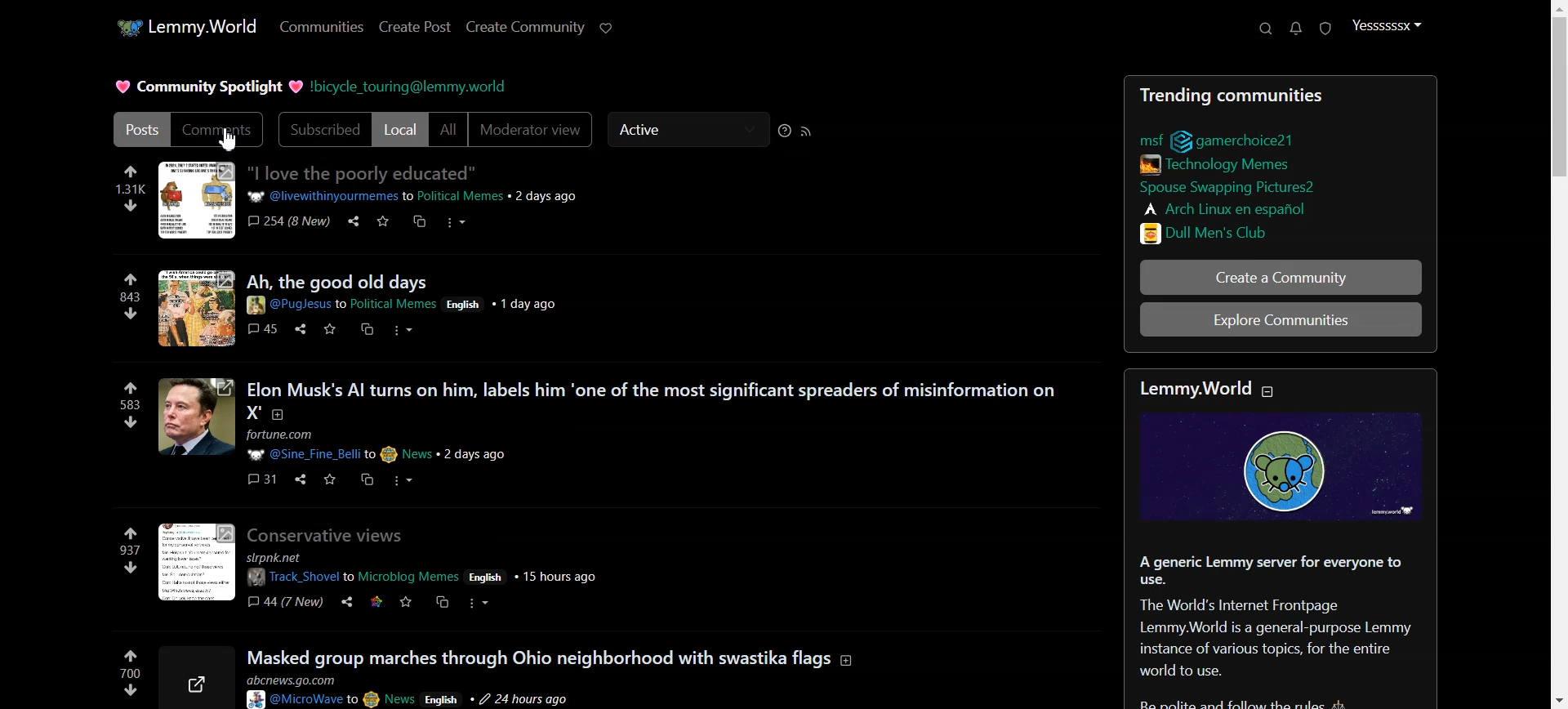 The height and width of the screenshot is (709, 1568). Describe the element at coordinates (347, 600) in the screenshot. I see `share` at that location.